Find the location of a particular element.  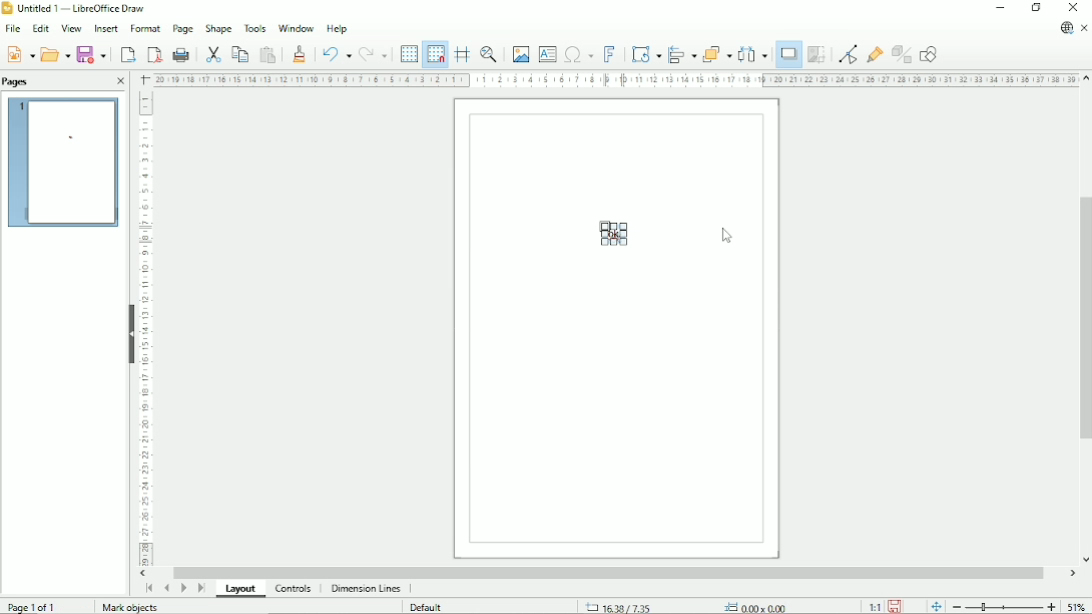

Vertical scroll button is located at coordinates (1084, 560).